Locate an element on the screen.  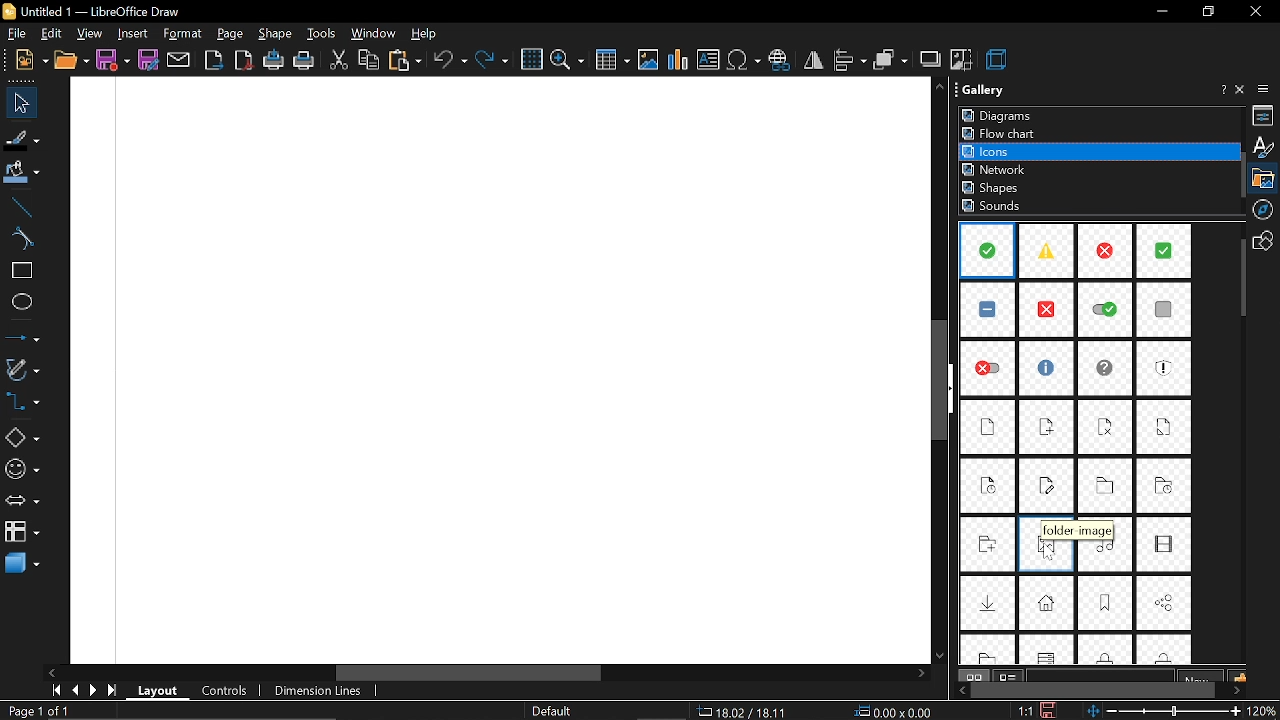
scroll right is located at coordinates (919, 675).